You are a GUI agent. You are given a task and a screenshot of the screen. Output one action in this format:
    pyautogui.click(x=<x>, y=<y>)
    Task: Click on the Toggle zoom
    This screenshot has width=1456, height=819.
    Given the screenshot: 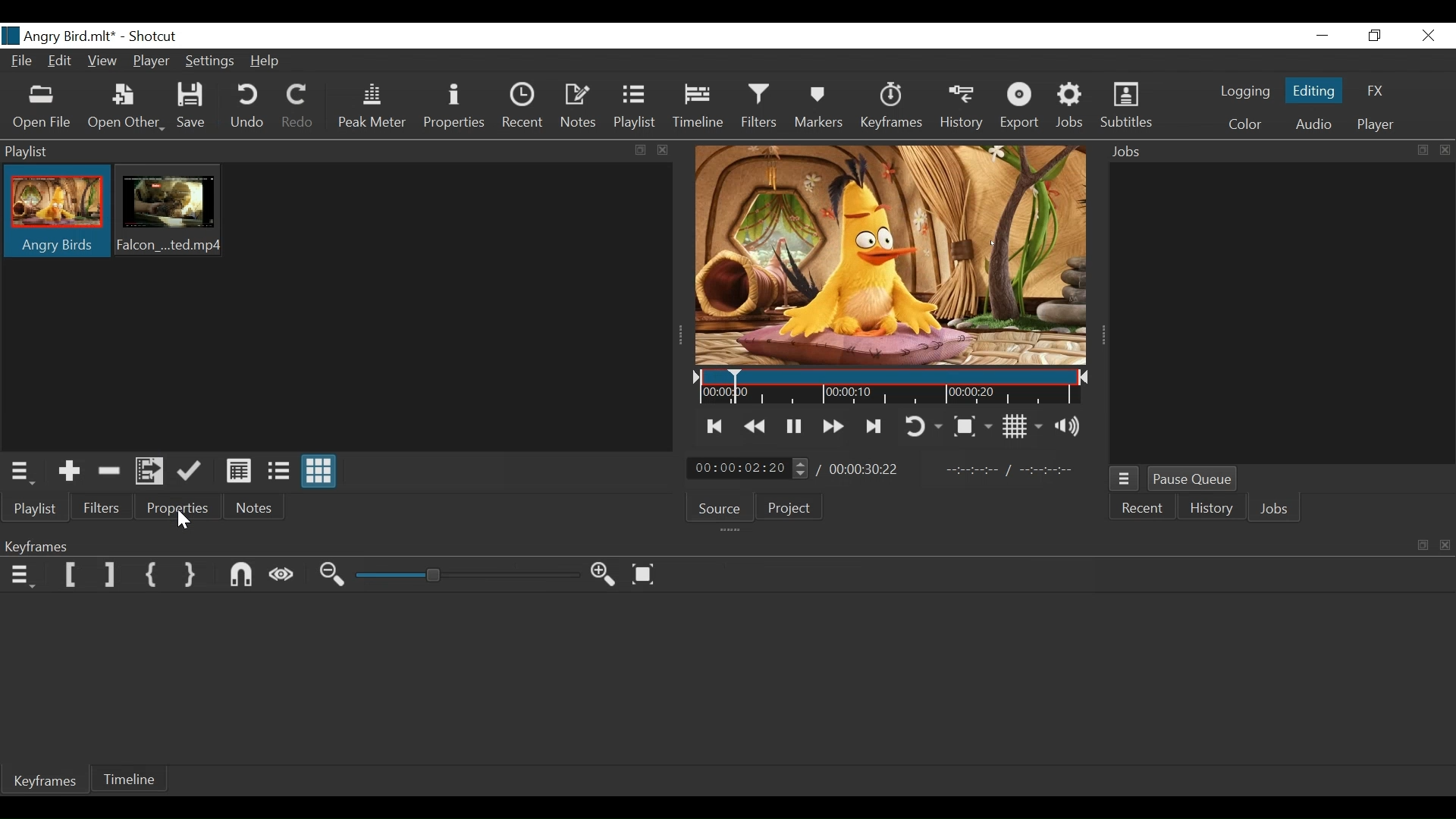 What is the action you would take?
    pyautogui.click(x=974, y=425)
    